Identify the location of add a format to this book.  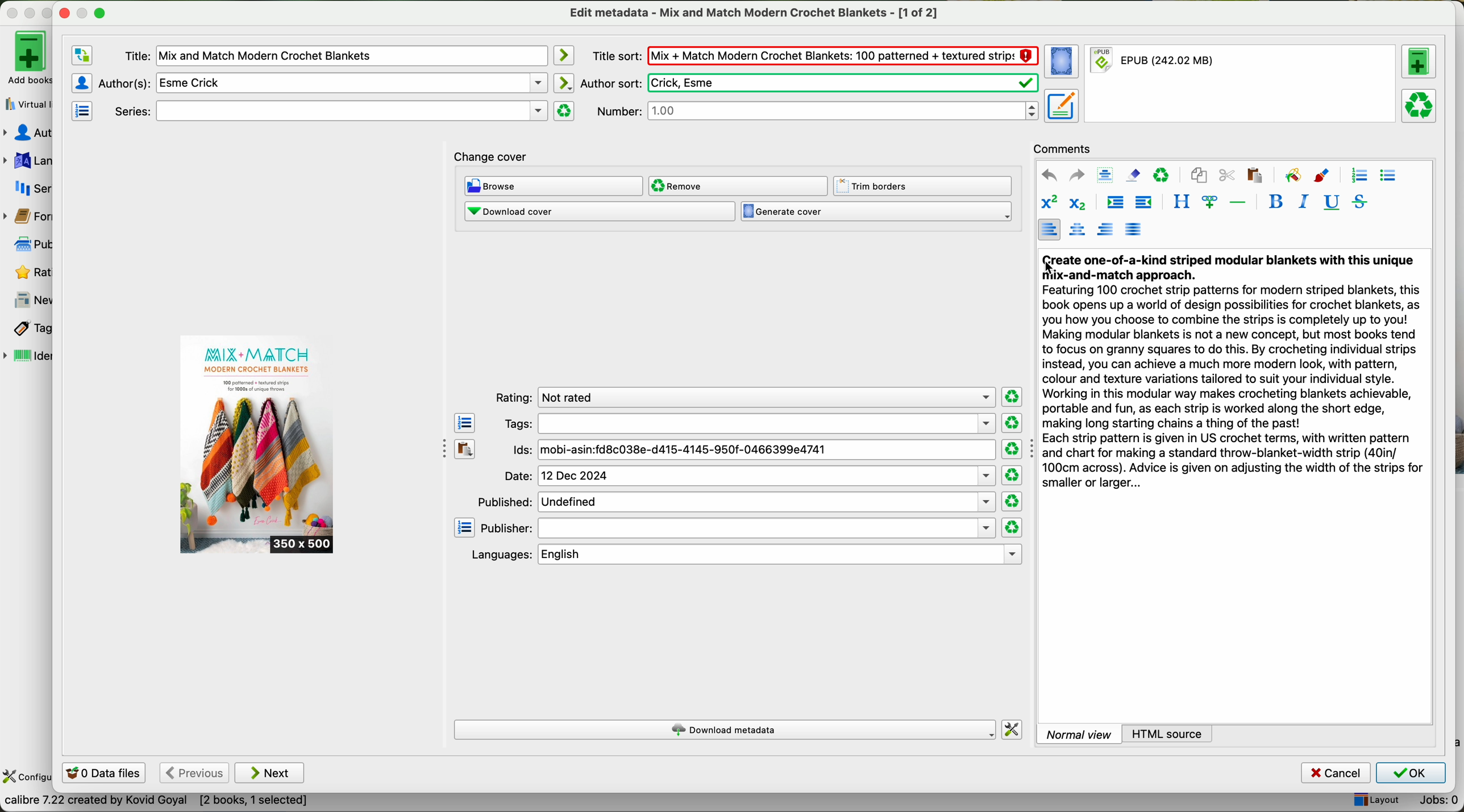
(1419, 61).